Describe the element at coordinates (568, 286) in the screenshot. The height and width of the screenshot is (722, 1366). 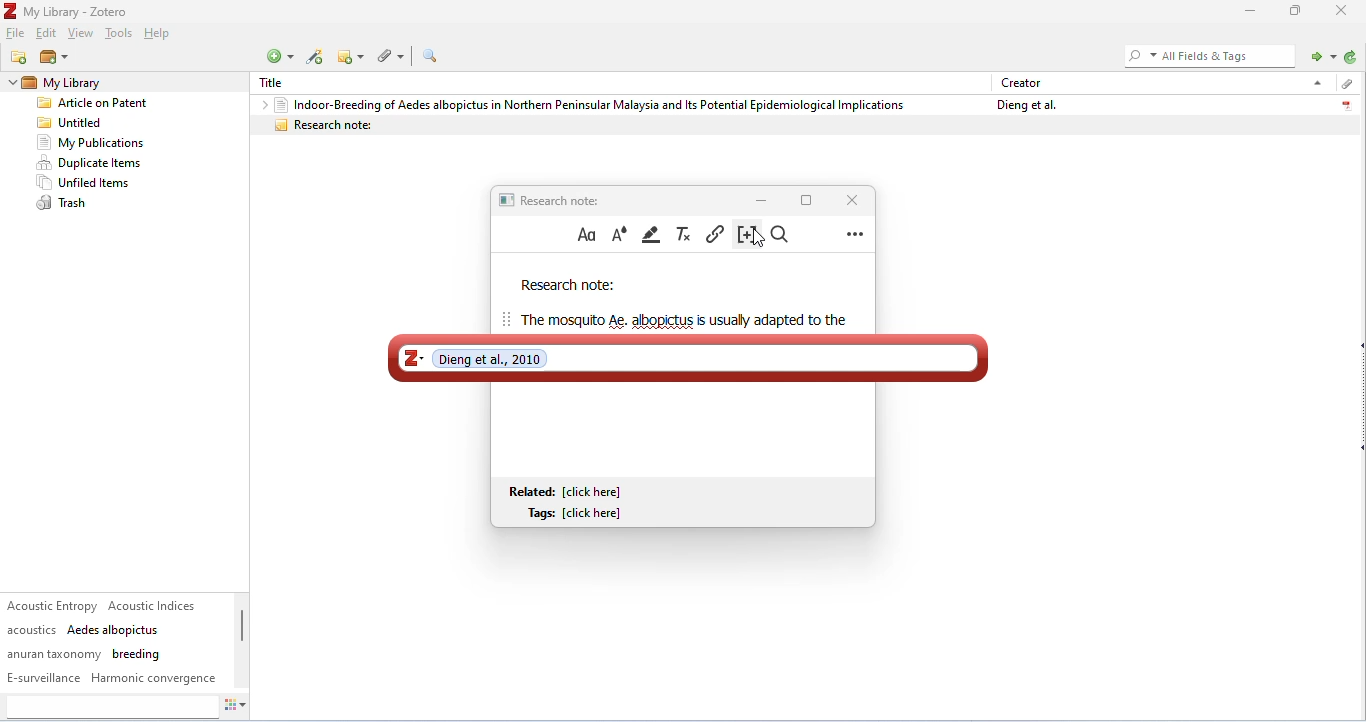
I see `research note` at that location.